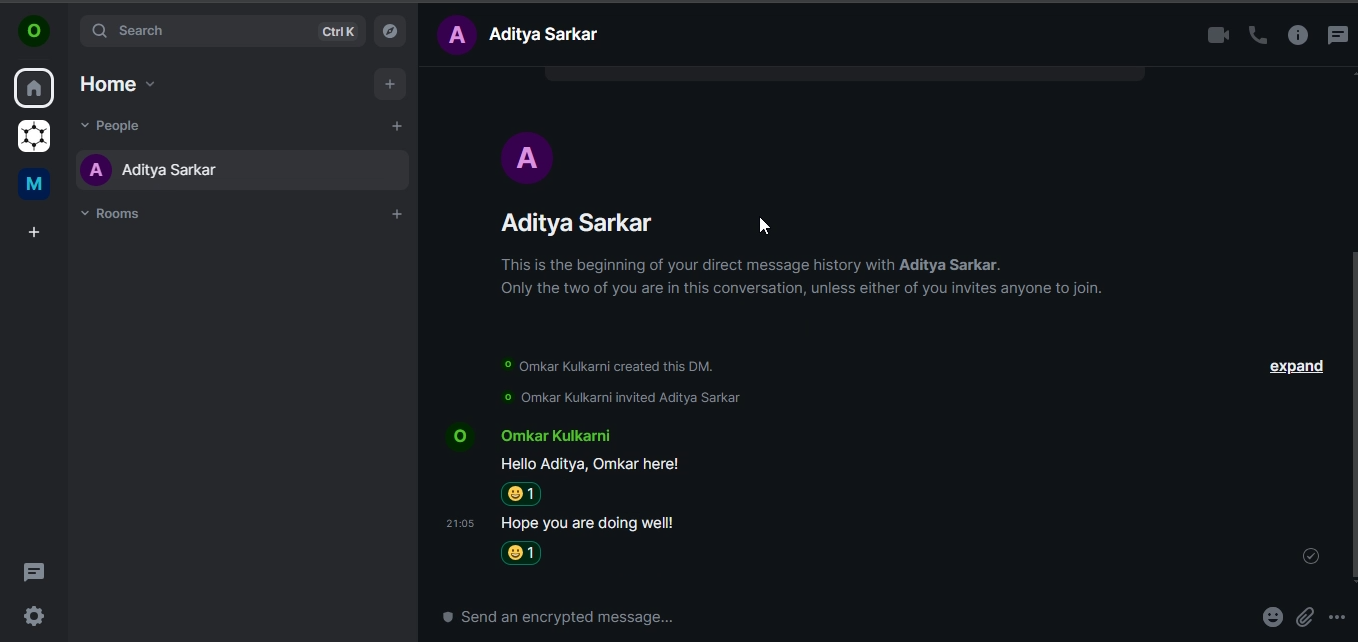 This screenshot has height=642, width=1358. What do you see at coordinates (114, 214) in the screenshot?
I see `rooms` at bounding box center [114, 214].